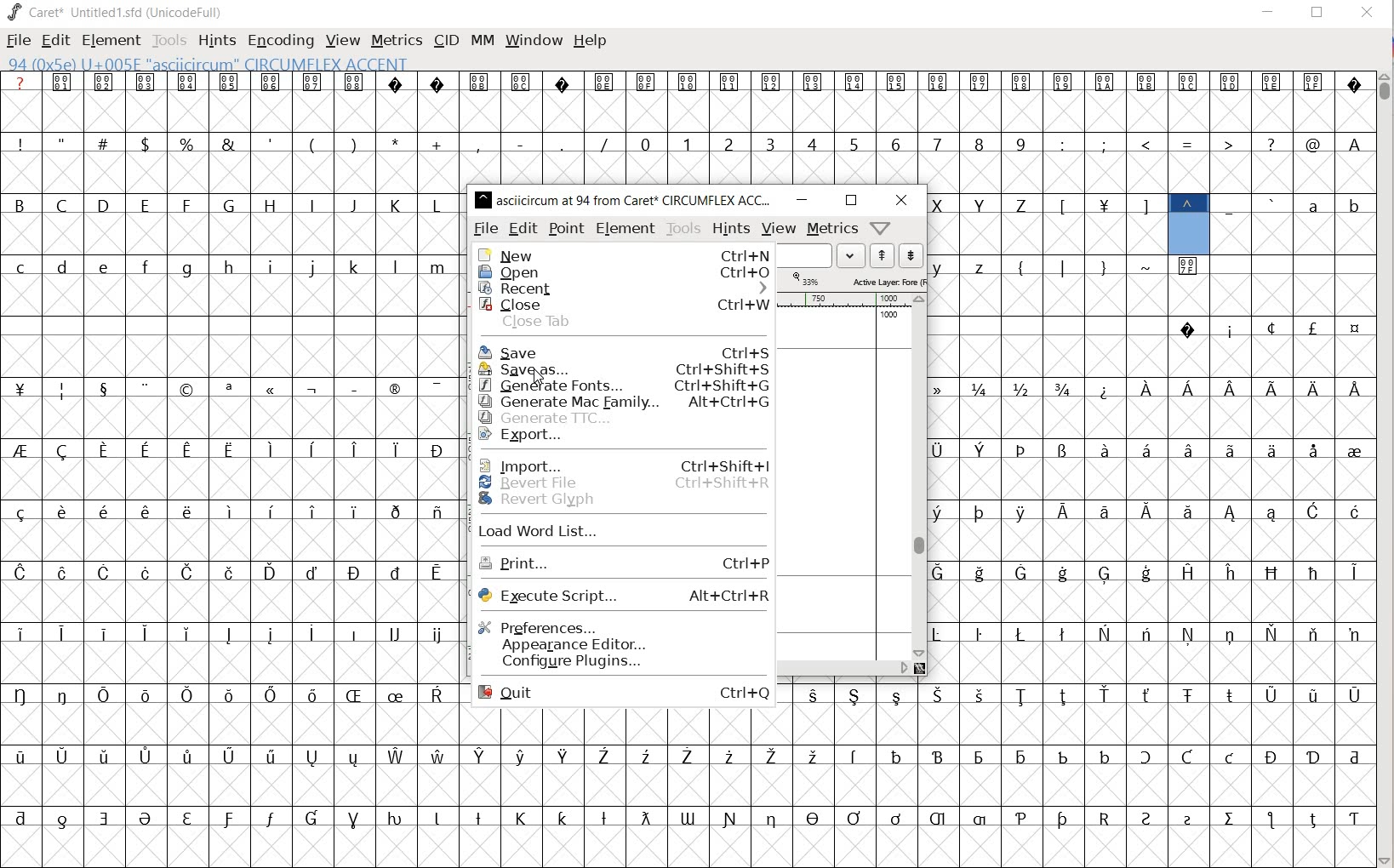  I want to click on FILE, so click(17, 42).